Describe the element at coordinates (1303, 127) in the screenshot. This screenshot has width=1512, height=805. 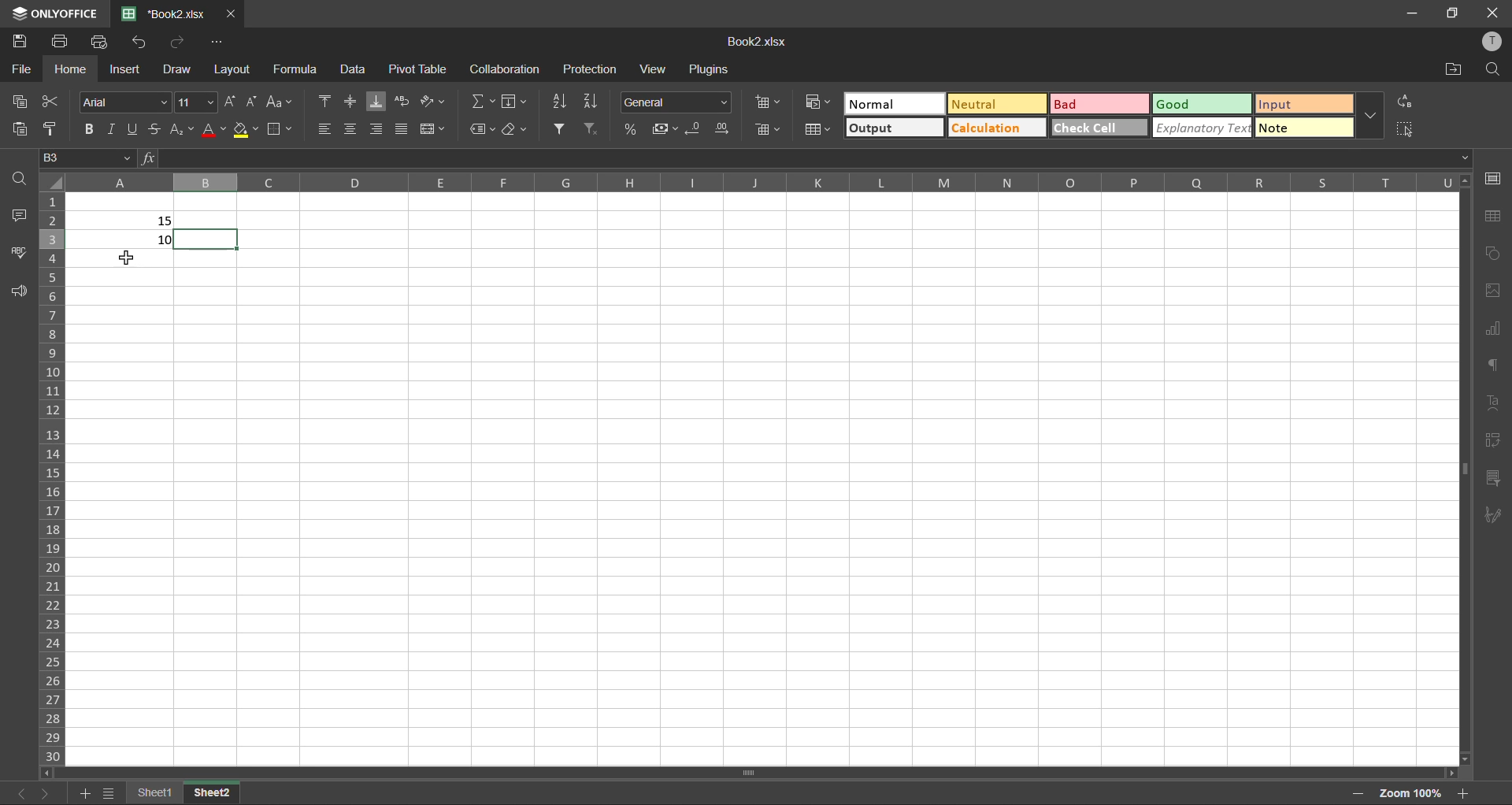
I see `note` at that location.